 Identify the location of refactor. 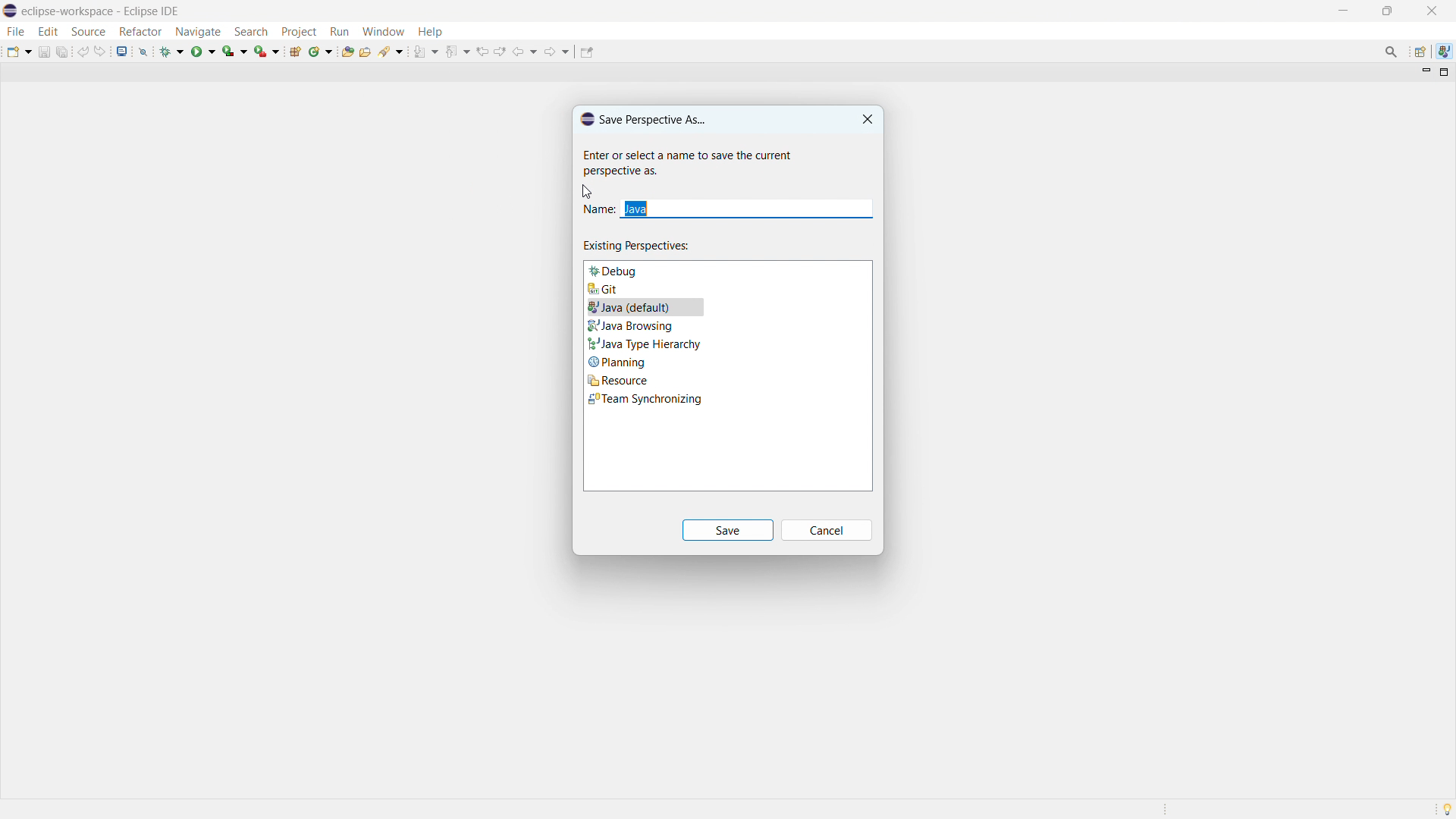
(141, 33).